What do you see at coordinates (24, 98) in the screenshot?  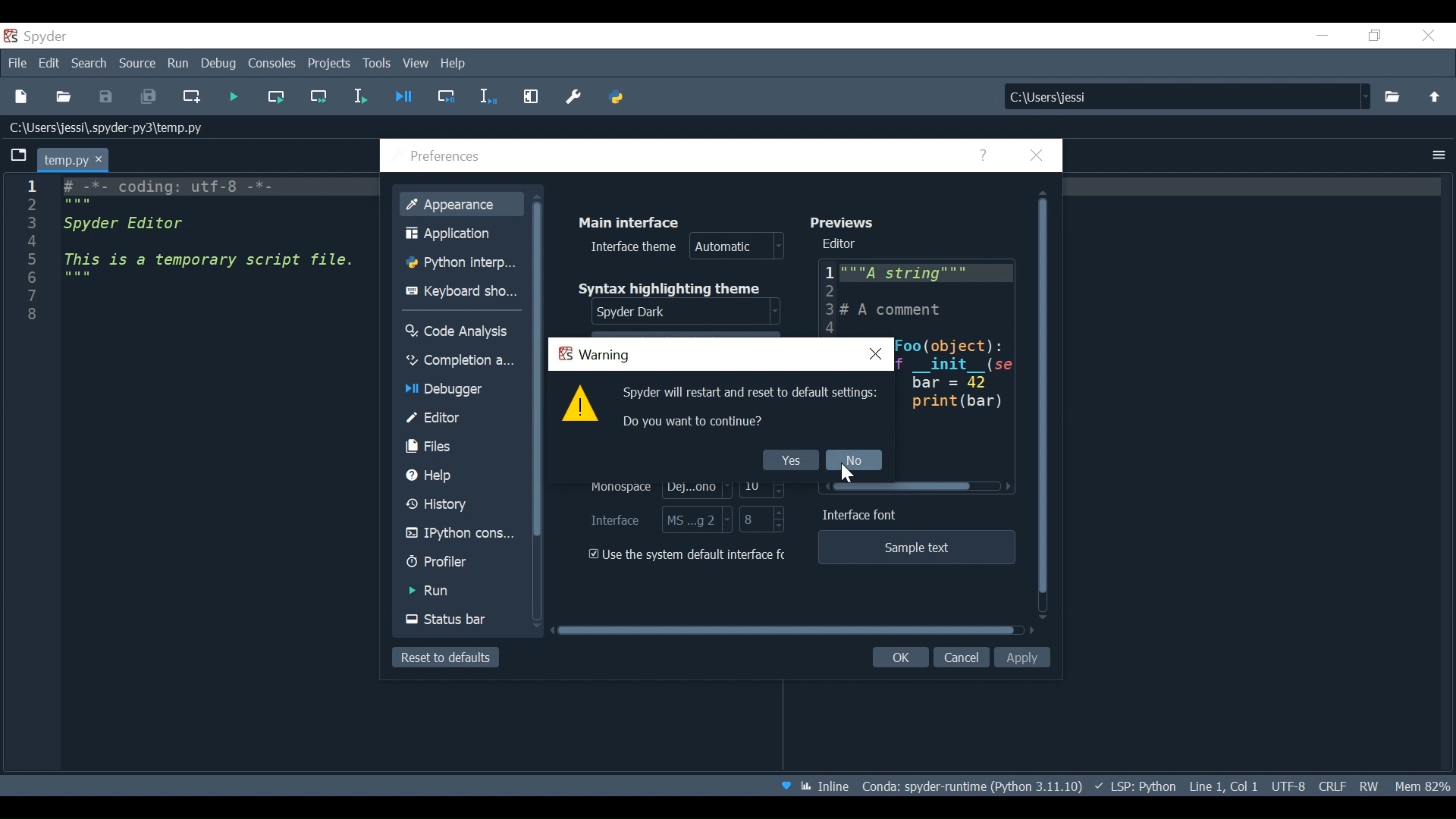 I see `New File` at bounding box center [24, 98].